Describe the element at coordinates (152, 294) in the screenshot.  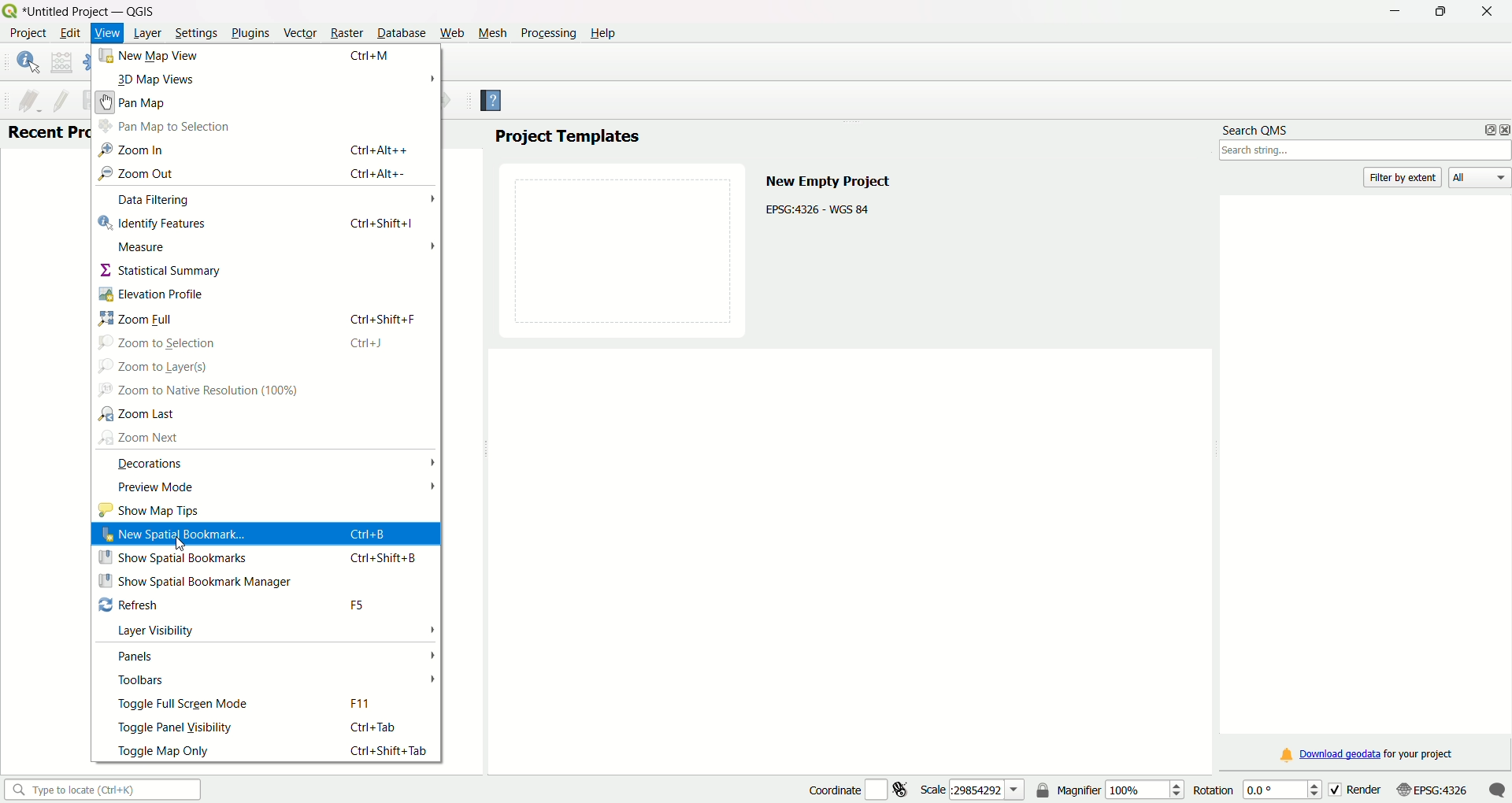
I see `elevation profile` at that location.